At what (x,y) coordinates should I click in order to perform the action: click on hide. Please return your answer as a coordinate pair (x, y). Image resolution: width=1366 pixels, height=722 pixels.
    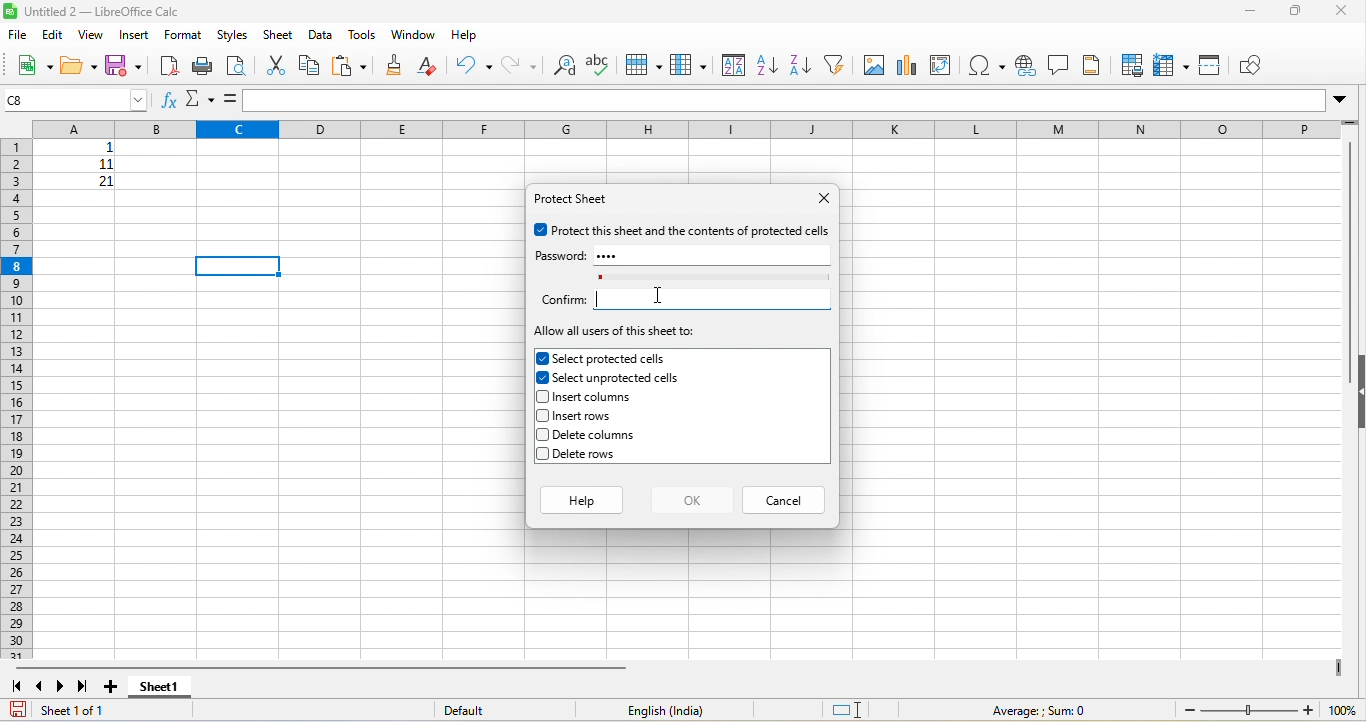
    Looking at the image, I should click on (1357, 396).